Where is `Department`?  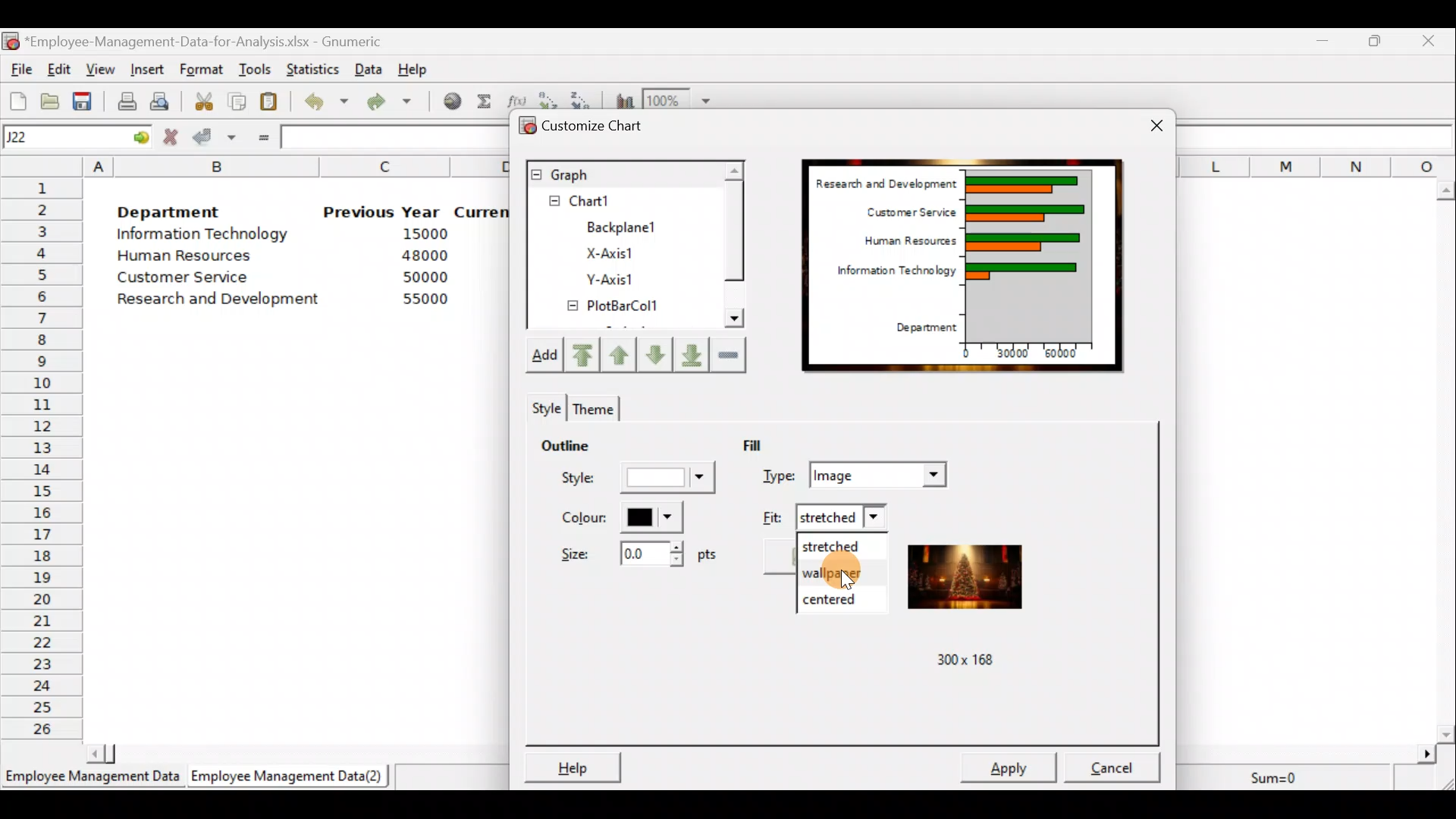
Department is located at coordinates (180, 212).